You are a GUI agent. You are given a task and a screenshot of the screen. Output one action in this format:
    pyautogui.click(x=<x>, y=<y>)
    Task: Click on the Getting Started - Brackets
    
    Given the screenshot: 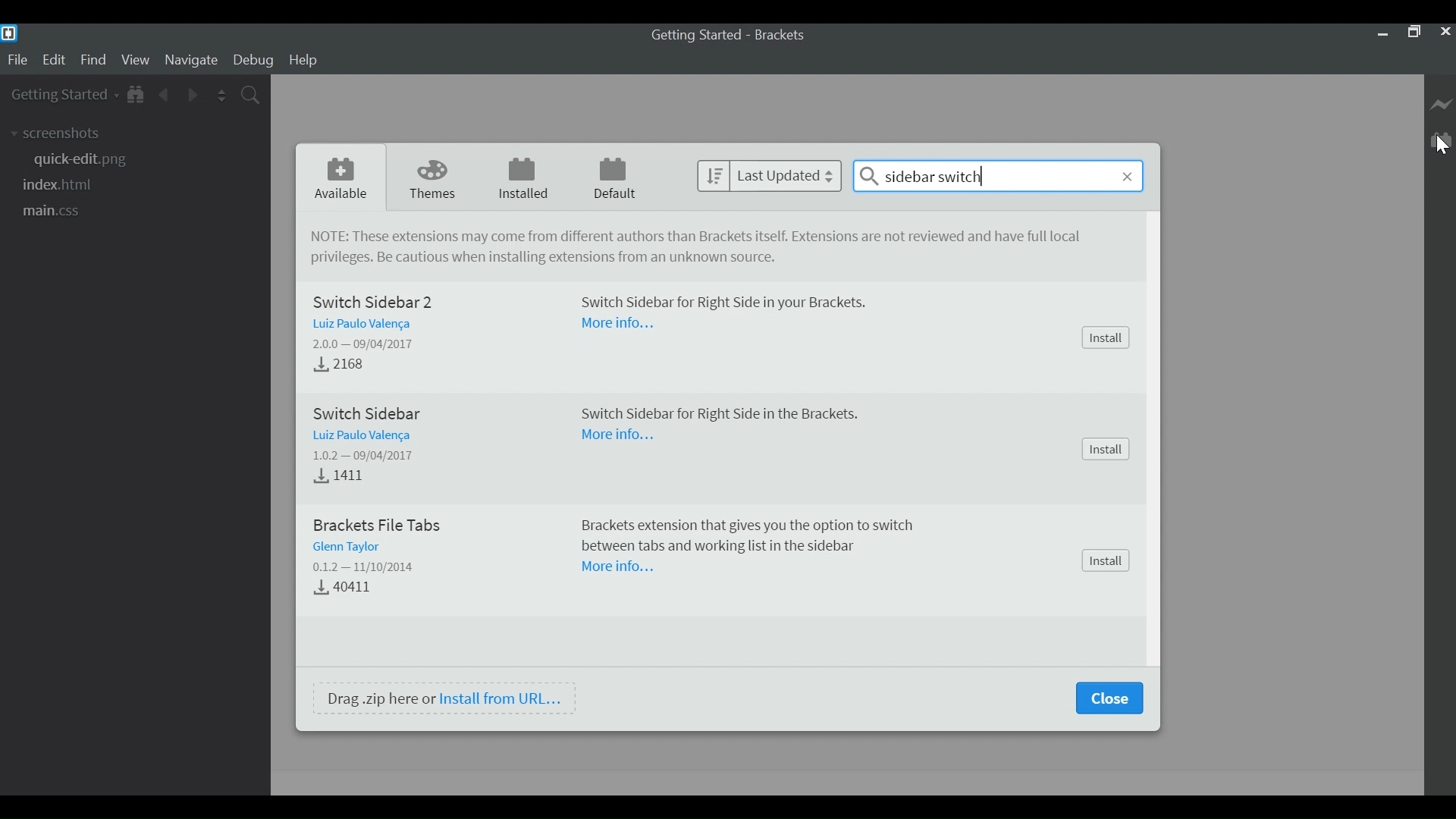 What is the action you would take?
    pyautogui.click(x=724, y=35)
    